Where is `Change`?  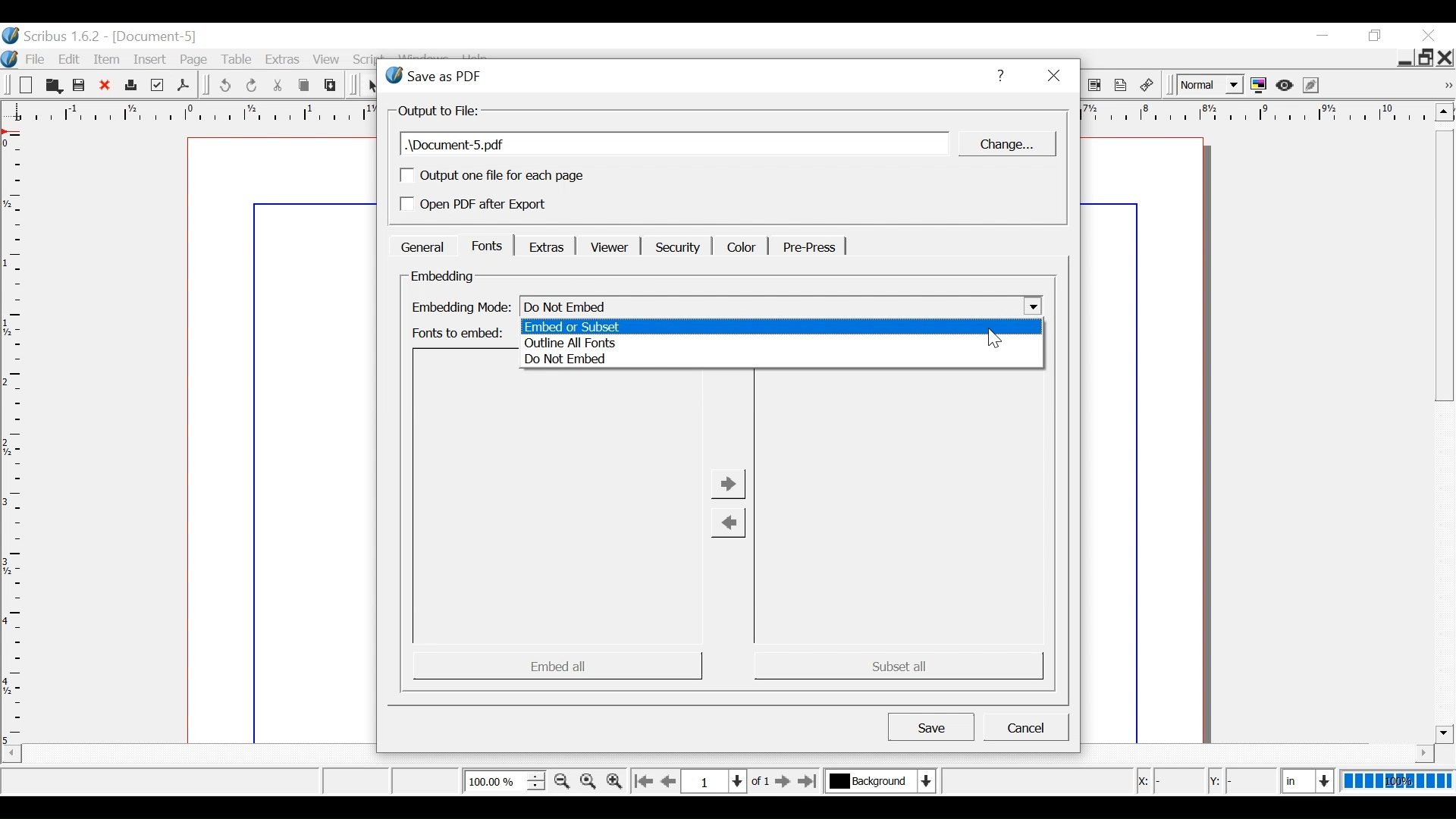 Change is located at coordinates (1005, 144).